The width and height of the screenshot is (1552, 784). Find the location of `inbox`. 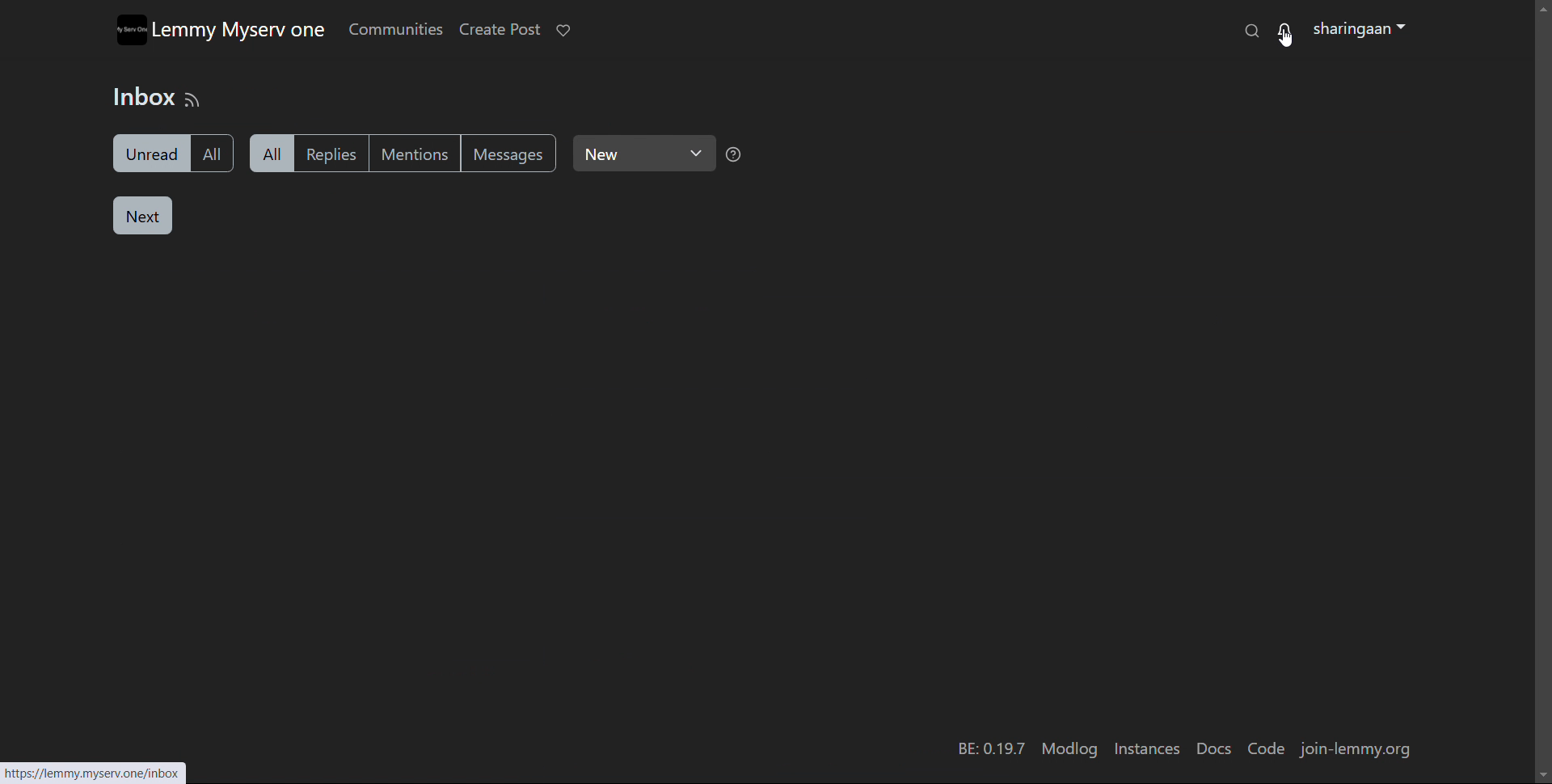

inbox is located at coordinates (140, 98).